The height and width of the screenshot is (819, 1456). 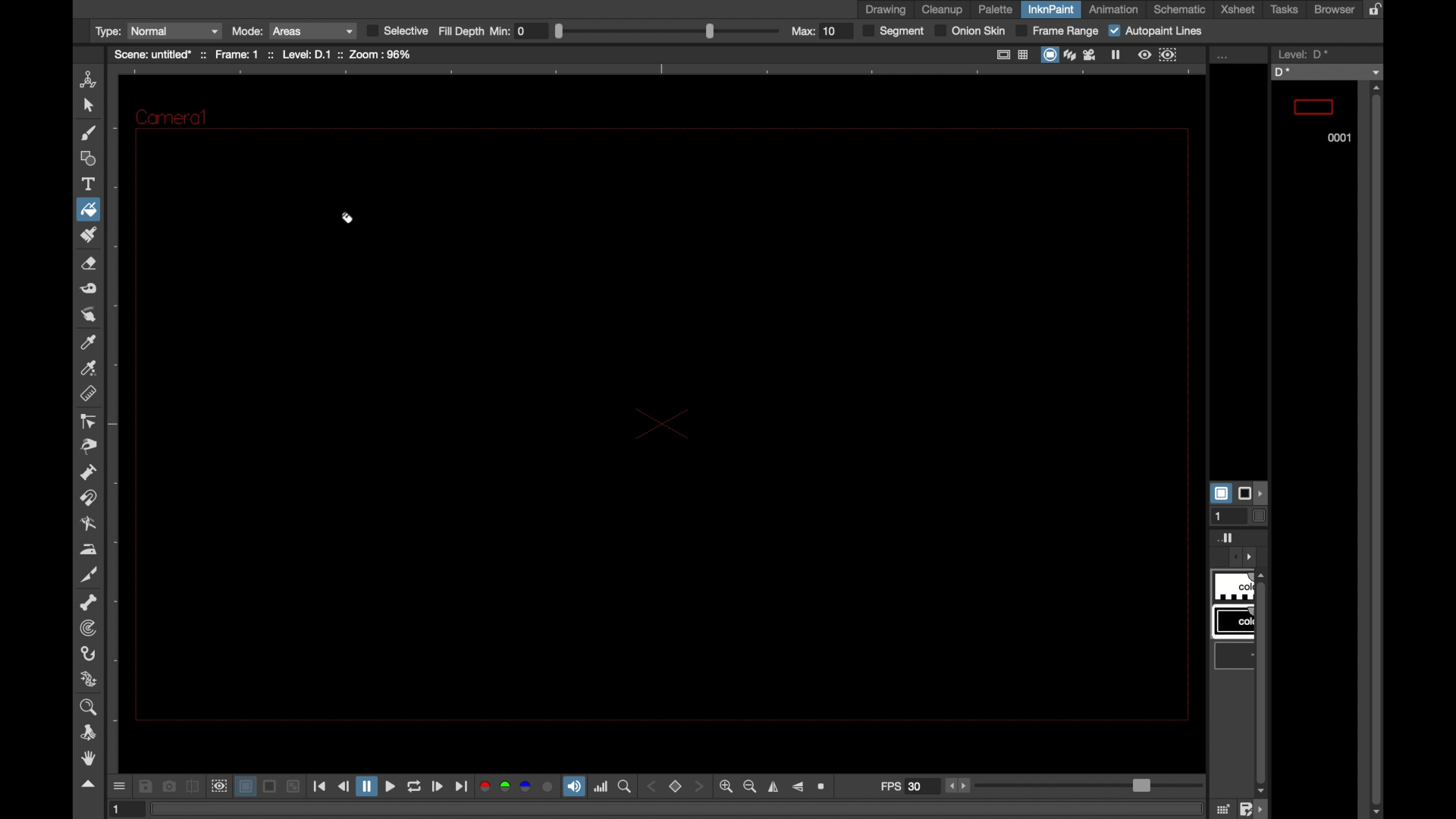 What do you see at coordinates (270, 786) in the screenshot?
I see `screen` at bounding box center [270, 786].